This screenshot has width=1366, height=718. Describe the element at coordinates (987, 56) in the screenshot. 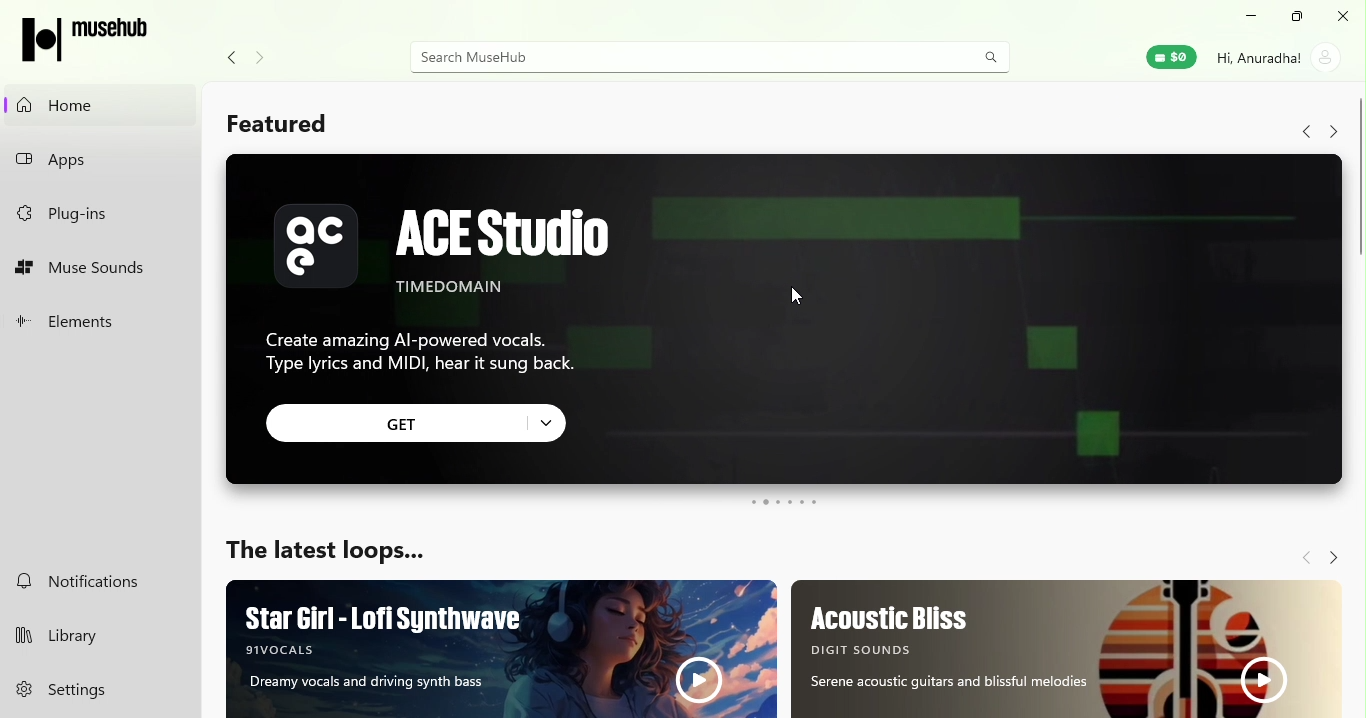

I see `search` at that location.